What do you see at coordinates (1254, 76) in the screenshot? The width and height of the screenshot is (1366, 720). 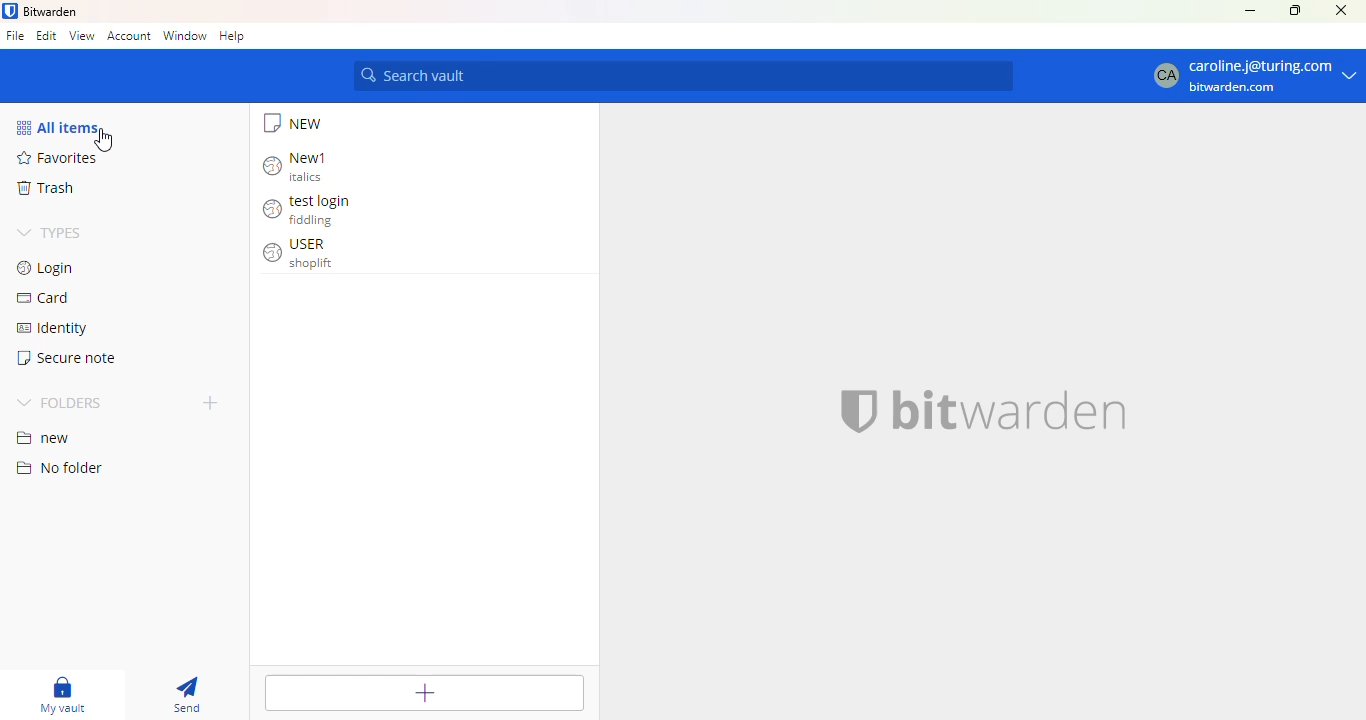 I see `CA caroline.j@turing.com     bitwarden.com` at bounding box center [1254, 76].